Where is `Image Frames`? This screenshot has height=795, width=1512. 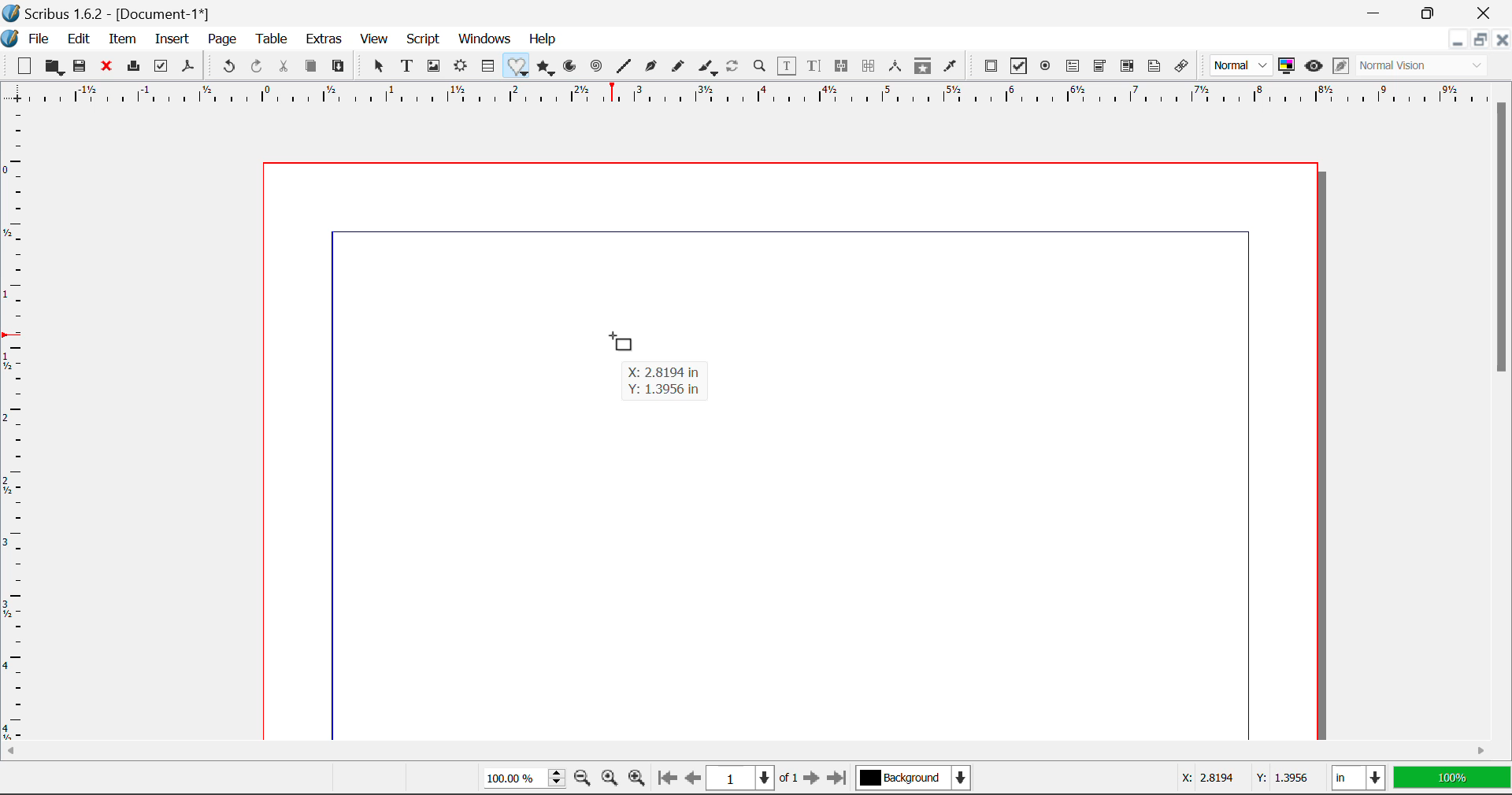 Image Frames is located at coordinates (433, 66).